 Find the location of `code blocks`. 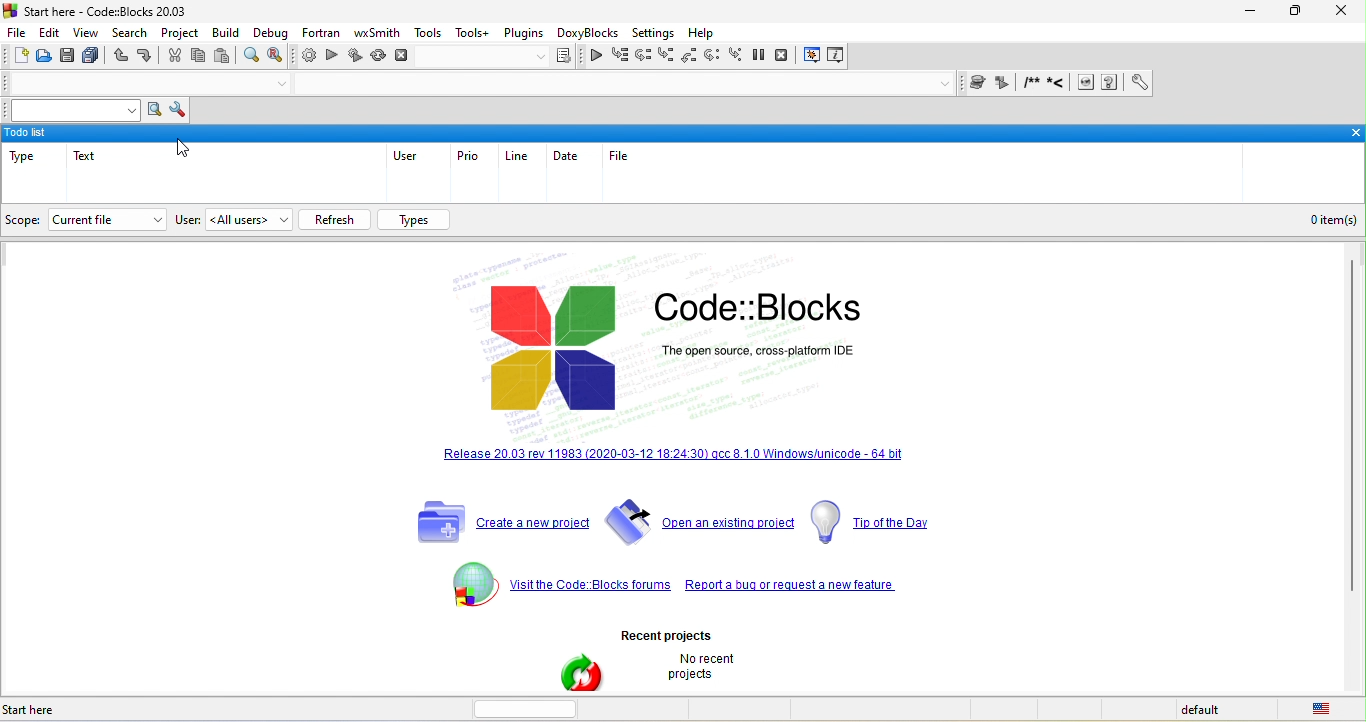

code blocks is located at coordinates (557, 350).